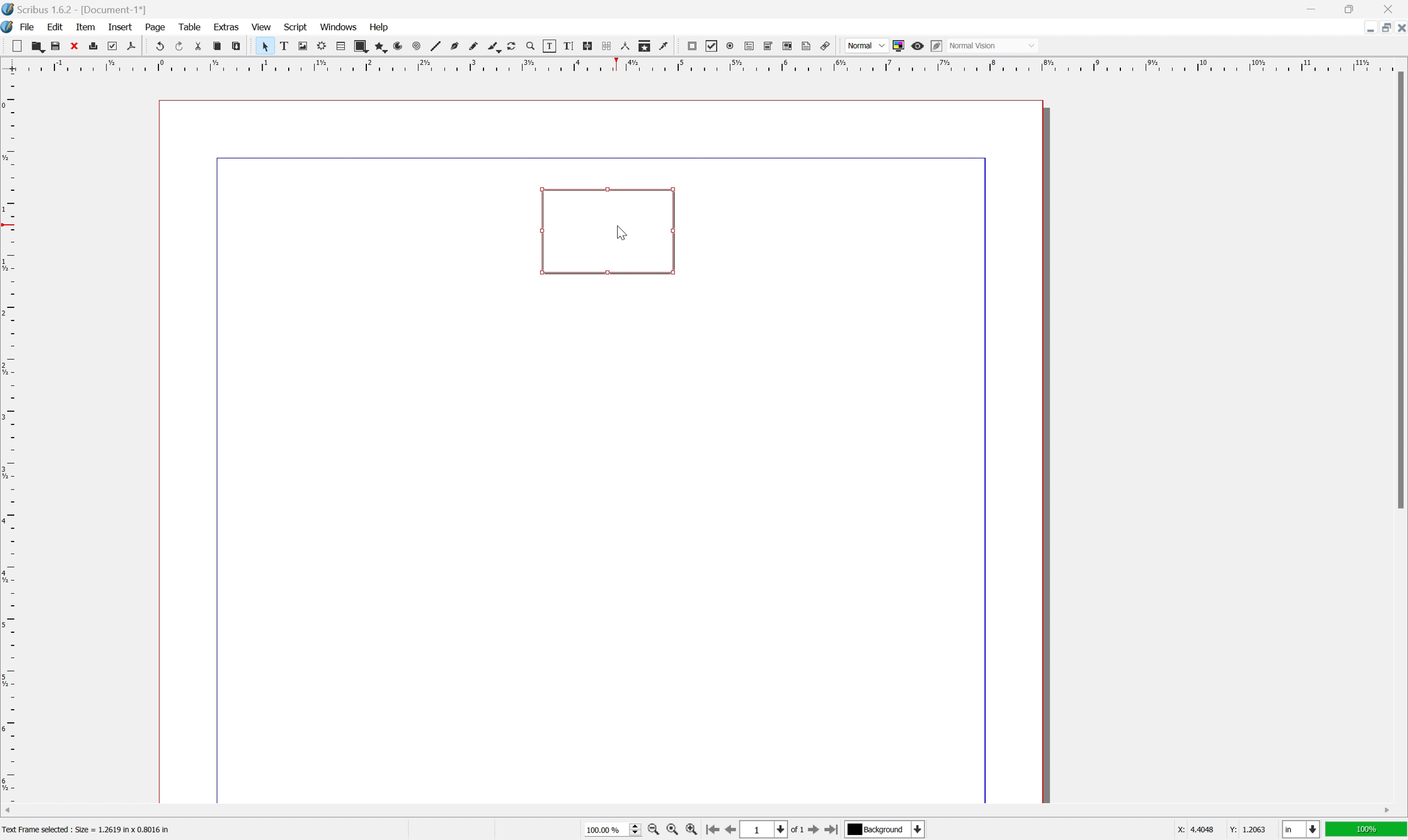 This screenshot has height=840, width=1408. Describe the element at coordinates (749, 47) in the screenshot. I see `pdf text field` at that location.